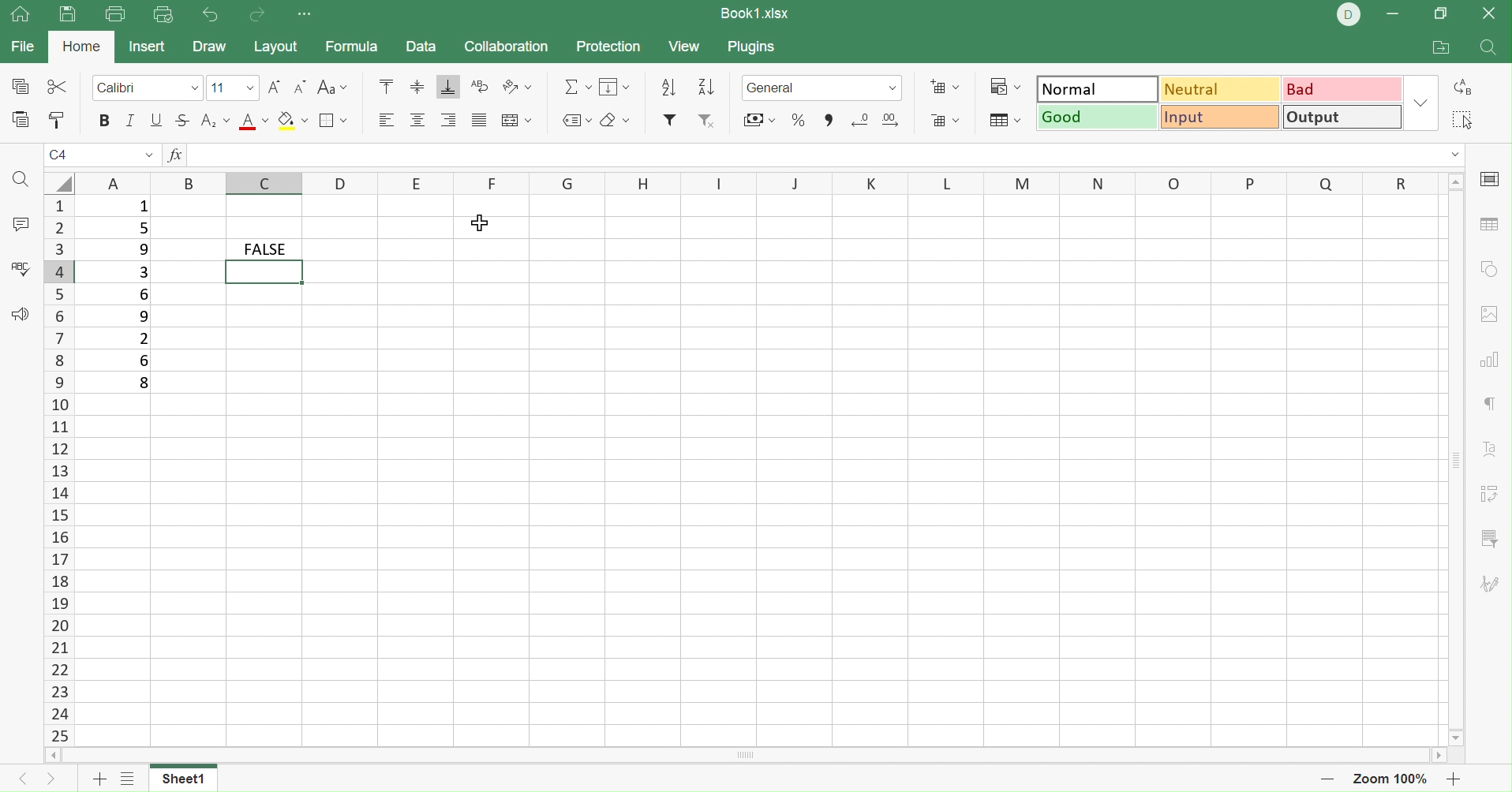 Image resolution: width=1512 pixels, height=792 pixels. Describe the element at coordinates (259, 15) in the screenshot. I see `Redo` at that location.